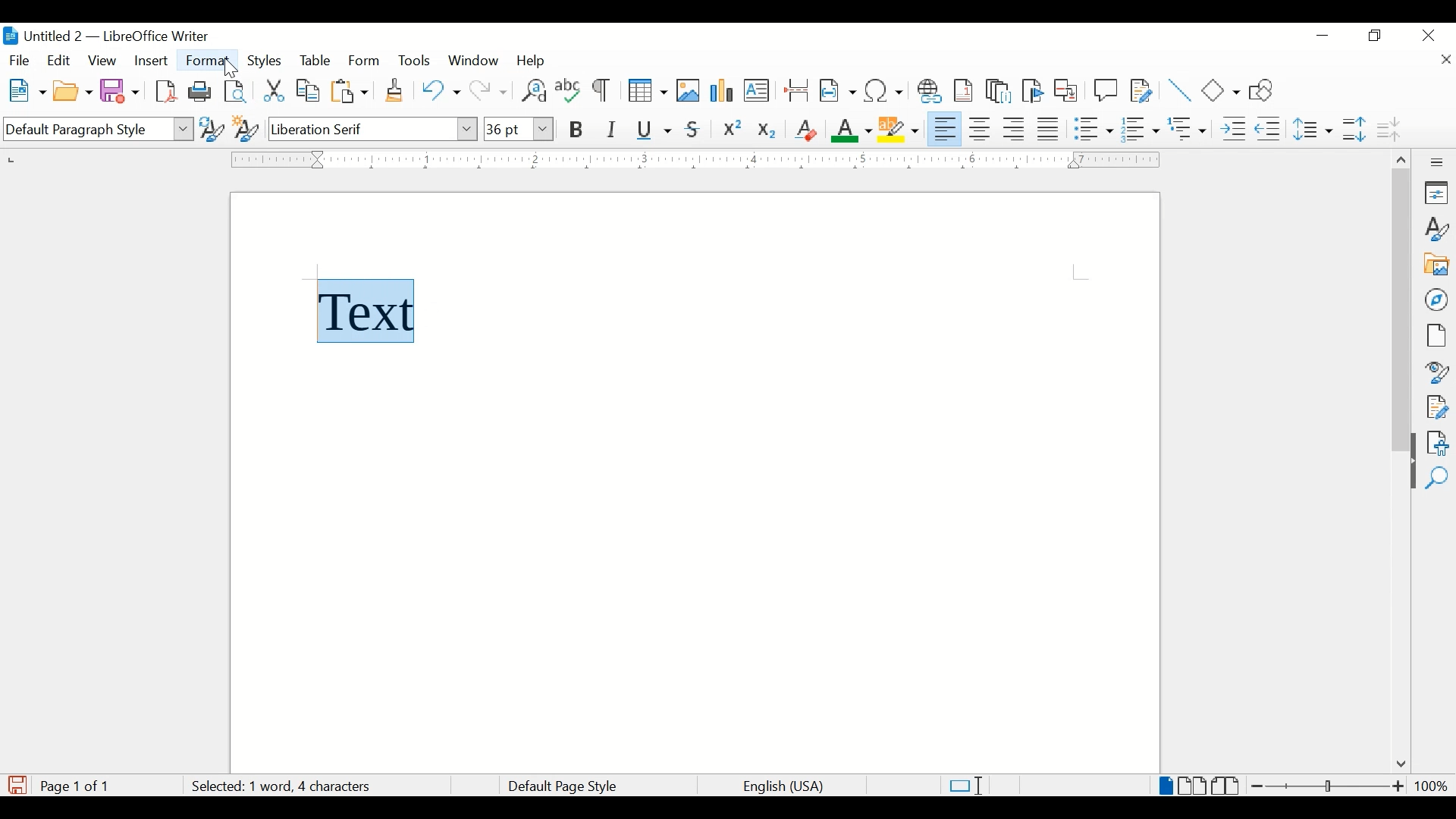  What do you see at coordinates (692, 159) in the screenshot?
I see `margin` at bounding box center [692, 159].